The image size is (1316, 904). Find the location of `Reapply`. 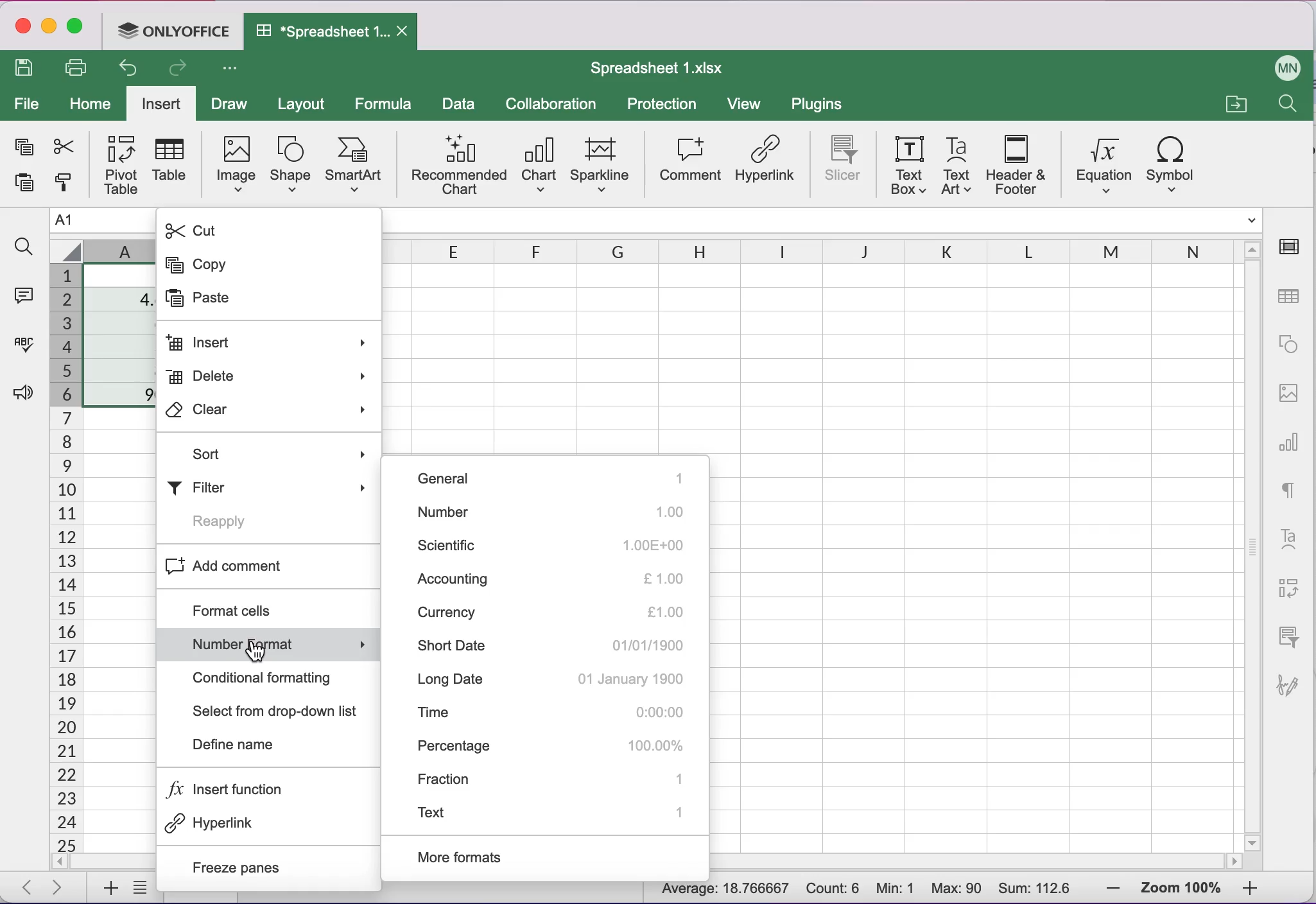

Reapply is located at coordinates (246, 520).